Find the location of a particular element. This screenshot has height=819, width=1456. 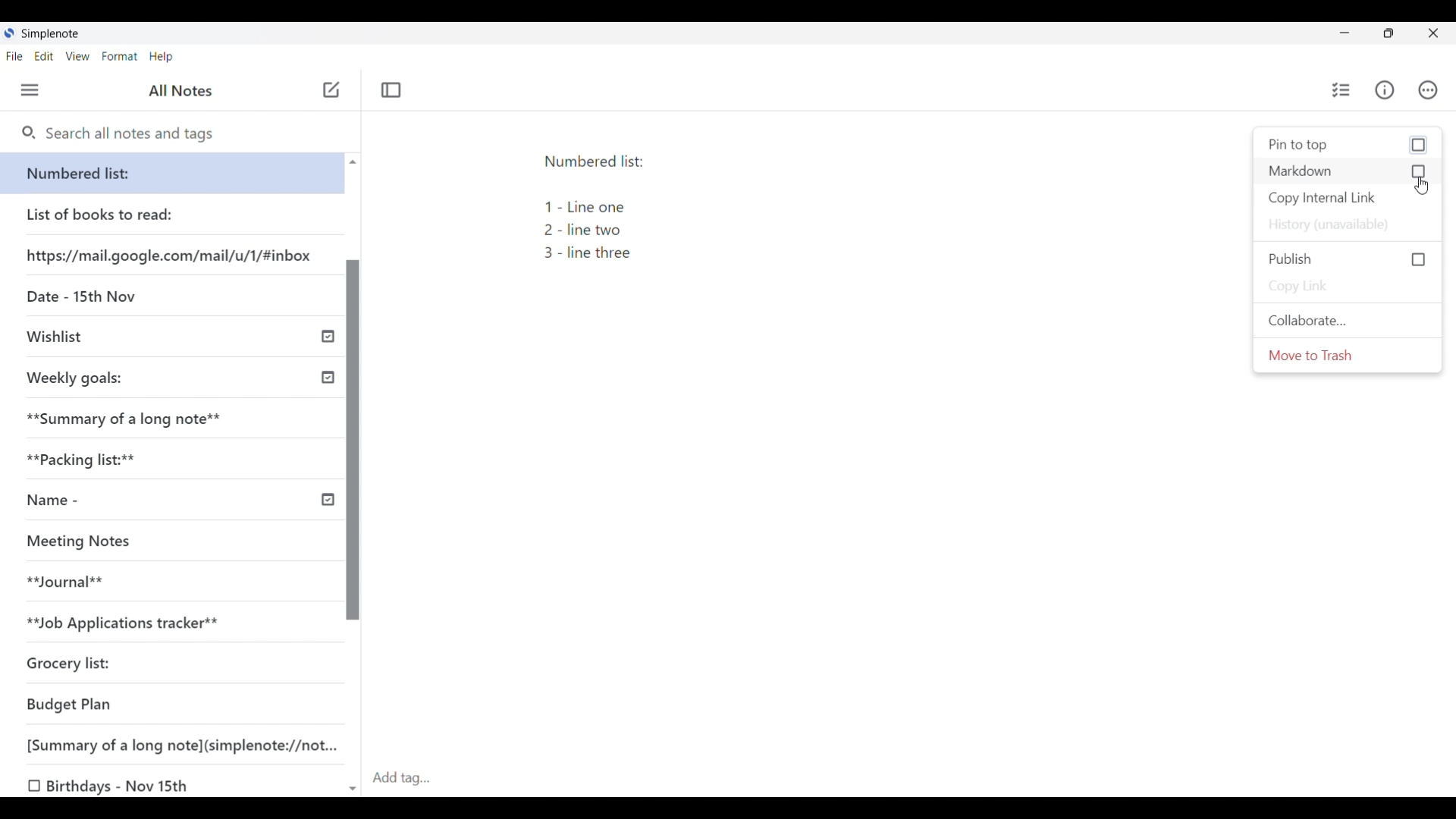

simplenote logo is located at coordinates (9, 33).